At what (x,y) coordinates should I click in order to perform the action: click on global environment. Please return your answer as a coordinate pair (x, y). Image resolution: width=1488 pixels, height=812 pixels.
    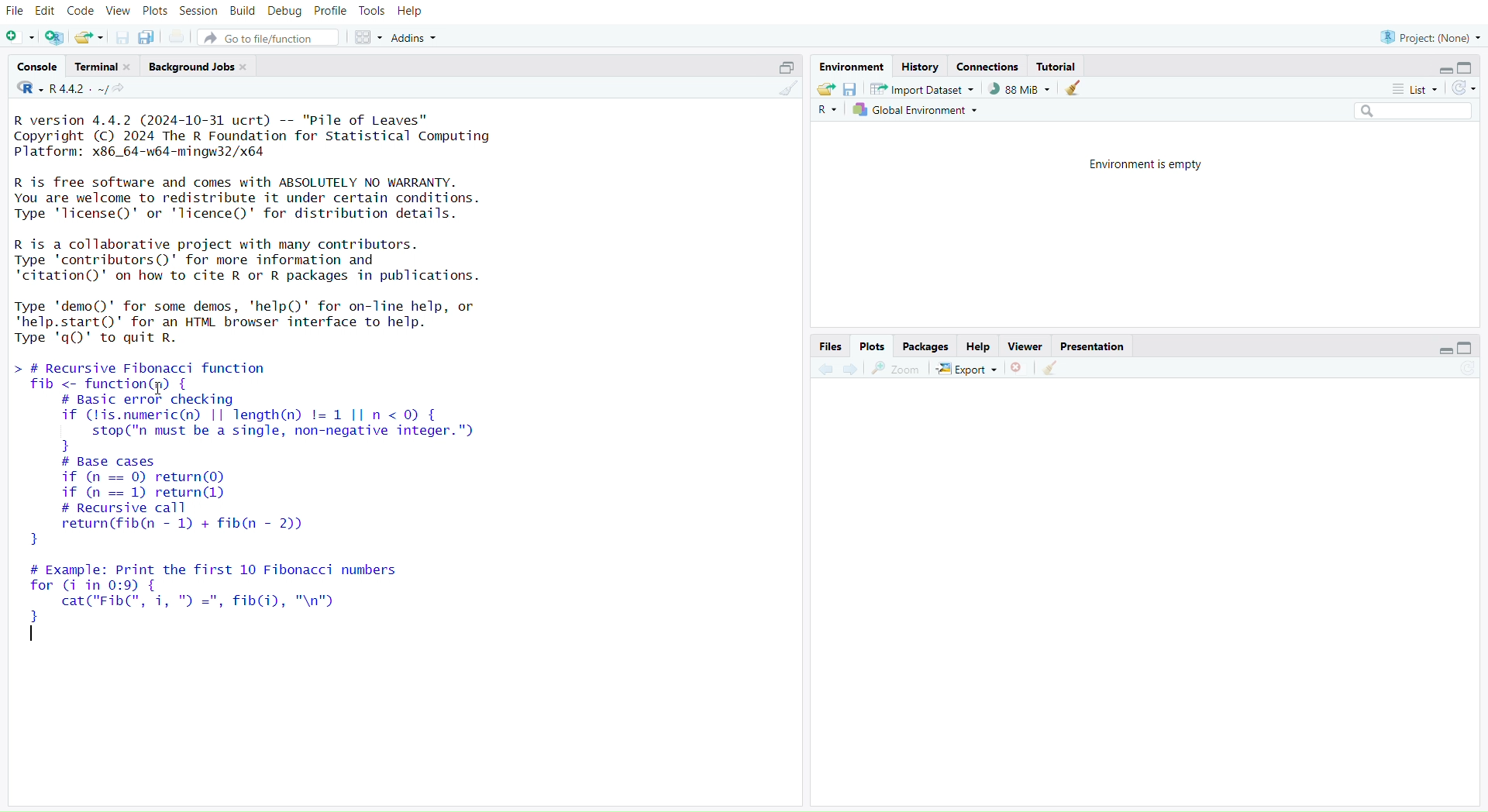
    Looking at the image, I should click on (917, 109).